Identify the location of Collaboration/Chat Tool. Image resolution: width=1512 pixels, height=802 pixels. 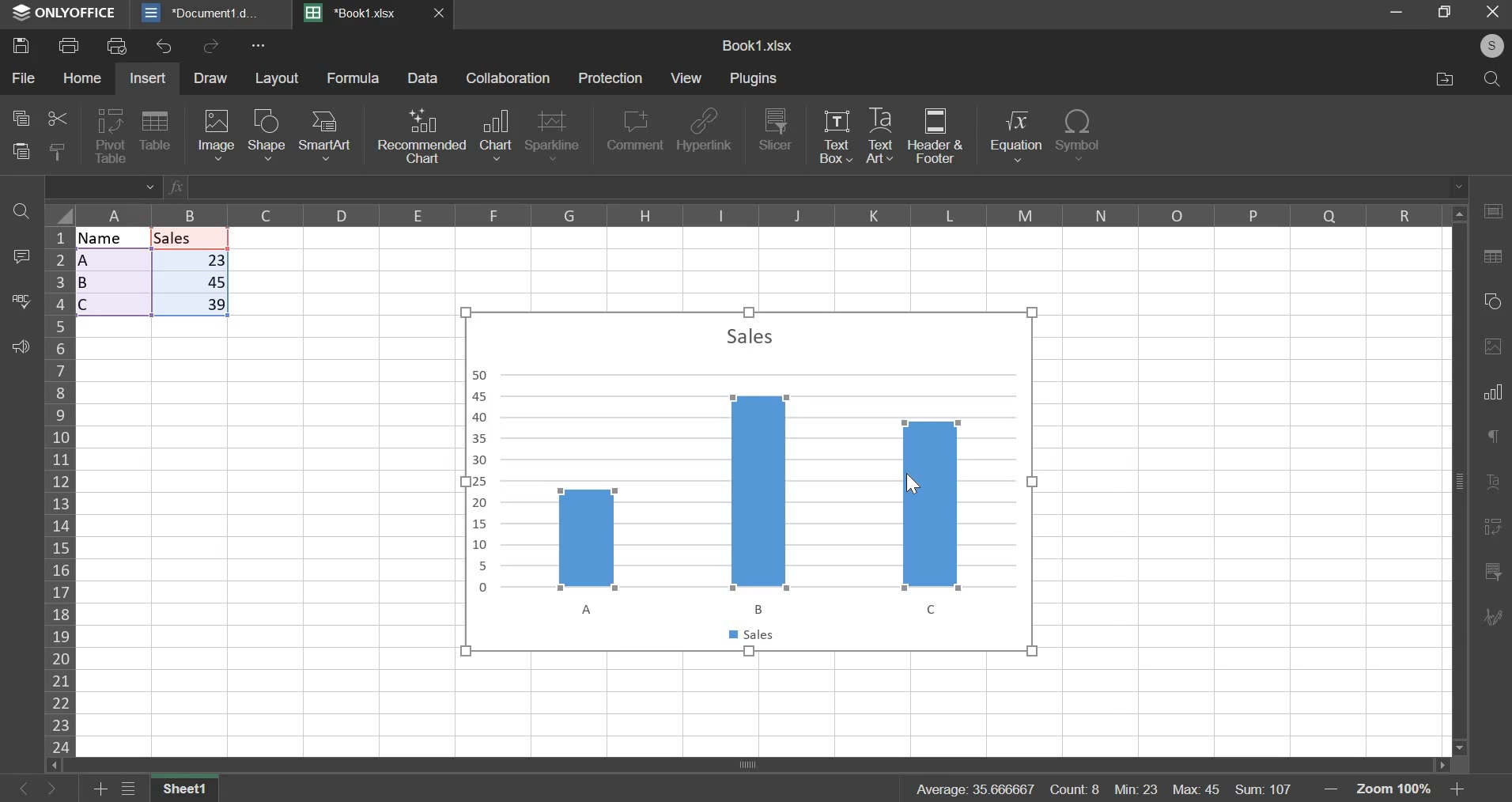
(1493, 617).